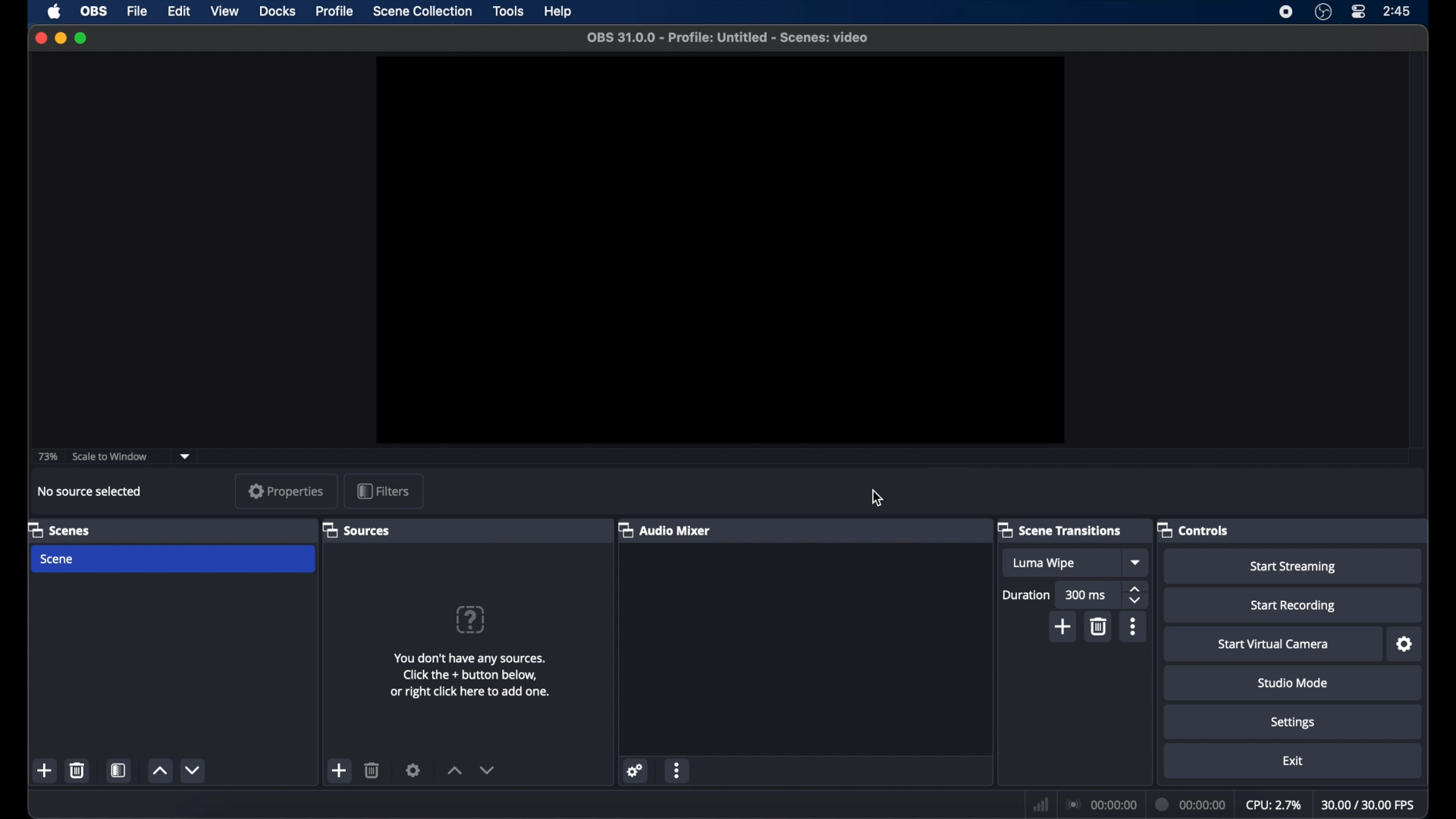 The image size is (1456, 819). What do you see at coordinates (193, 770) in the screenshot?
I see `decrement` at bounding box center [193, 770].